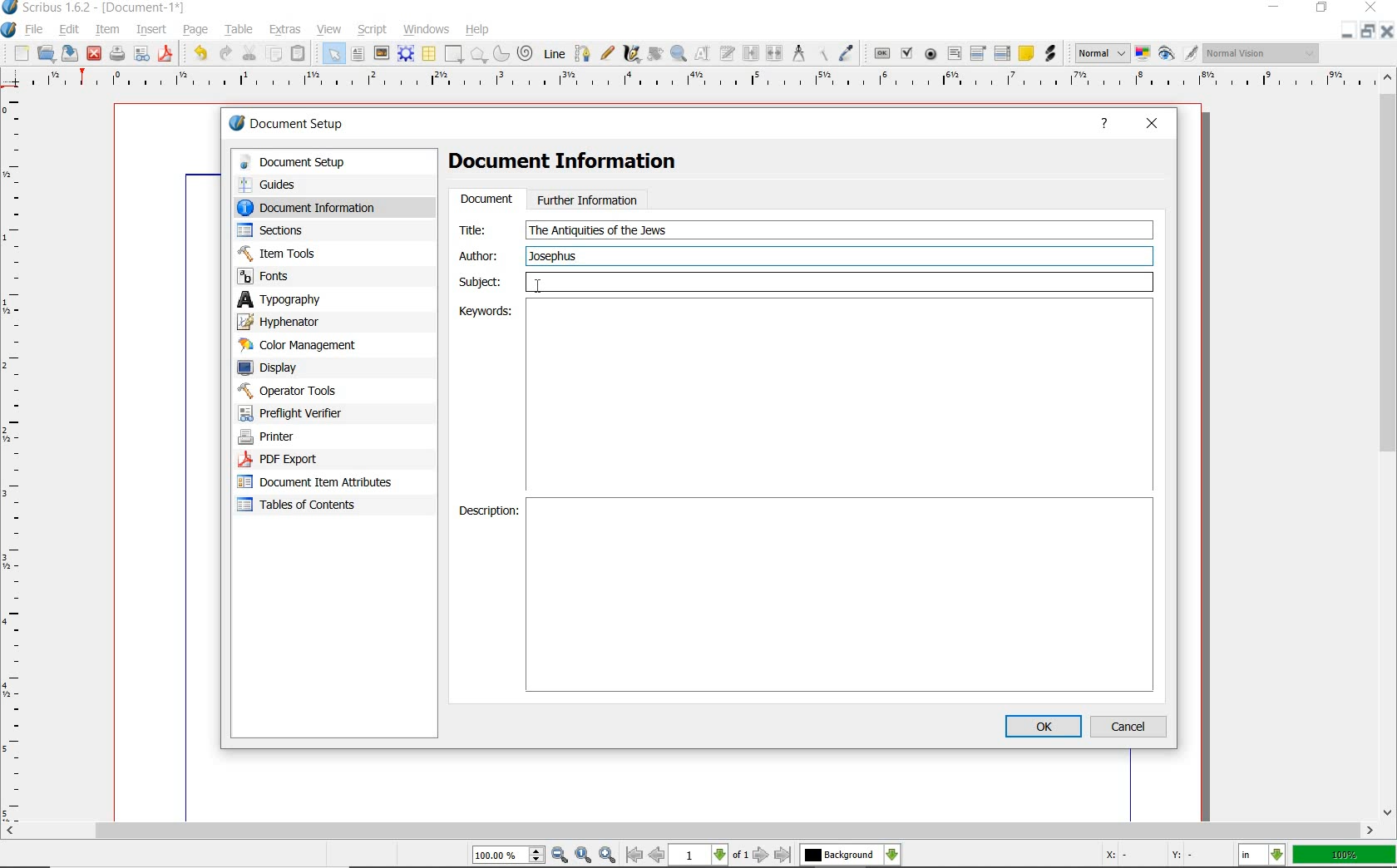 The image size is (1397, 868). What do you see at coordinates (821, 54) in the screenshot?
I see `copy item properties` at bounding box center [821, 54].